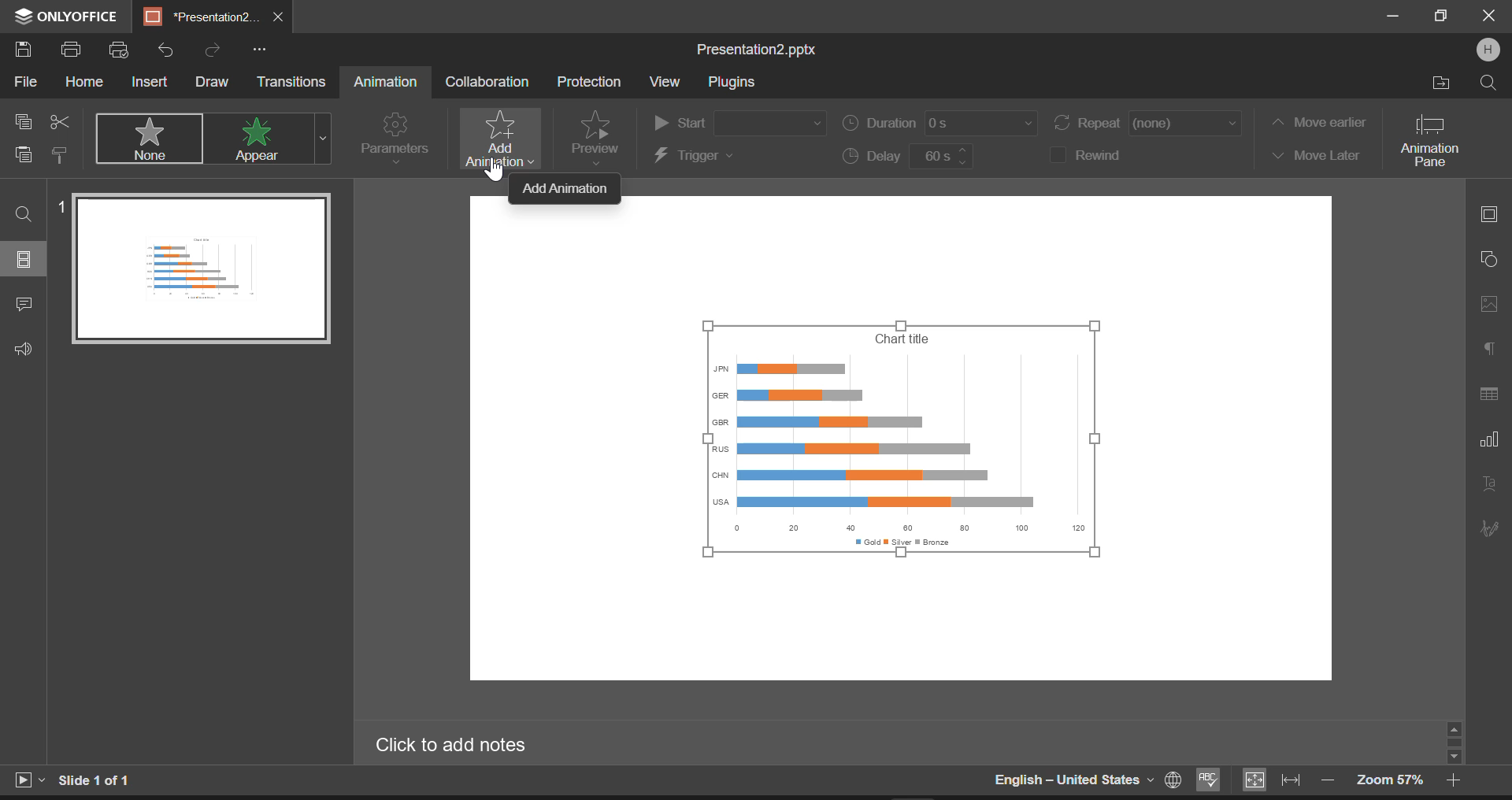 The width and height of the screenshot is (1512, 800). Describe the element at coordinates (280, 17) in the screenshot. I see `Close Tab` at that location.